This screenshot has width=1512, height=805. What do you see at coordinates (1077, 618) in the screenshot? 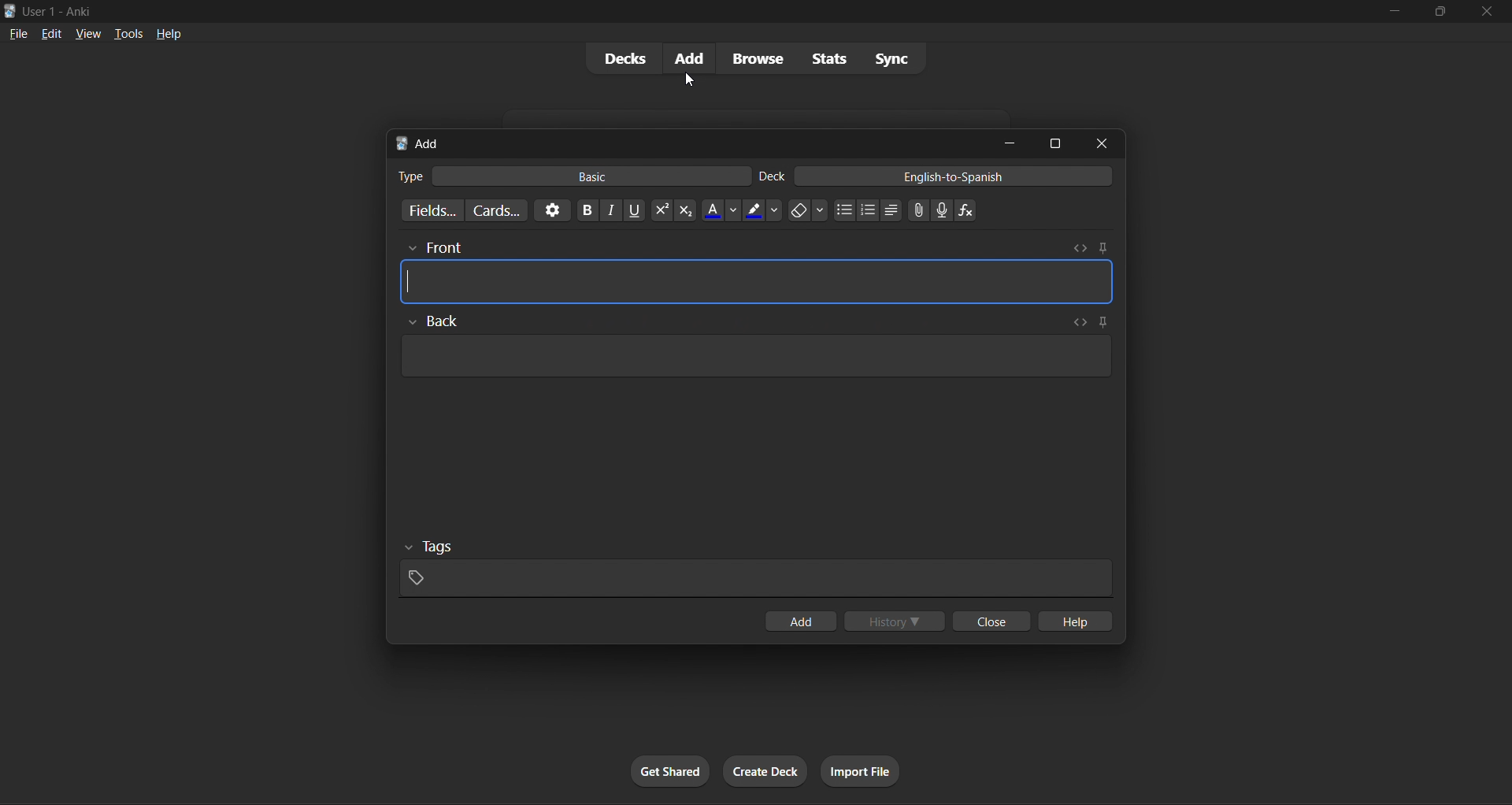
I see `help` at bounding box center [1077, 618].